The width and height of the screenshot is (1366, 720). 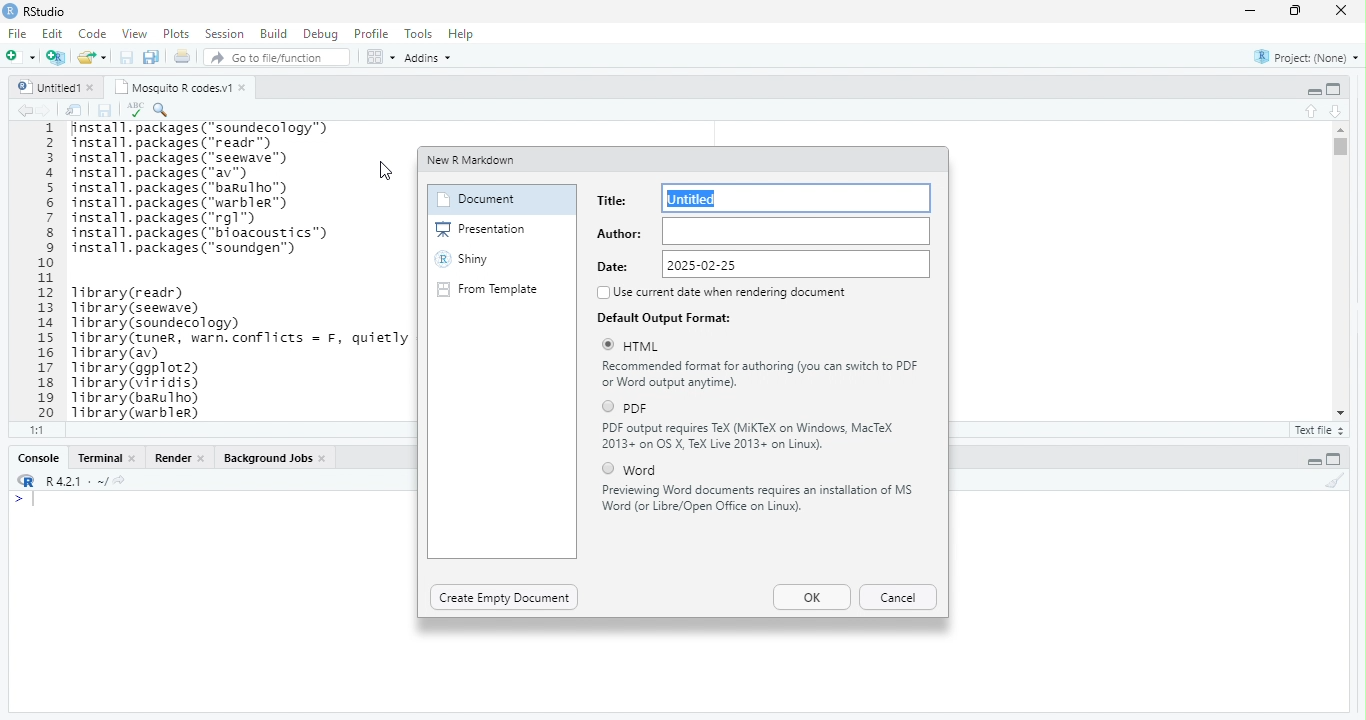 What do you see at coordinates (46, 11) in the screenshot?
I see `RStudio` at bounding box center [46, 11].